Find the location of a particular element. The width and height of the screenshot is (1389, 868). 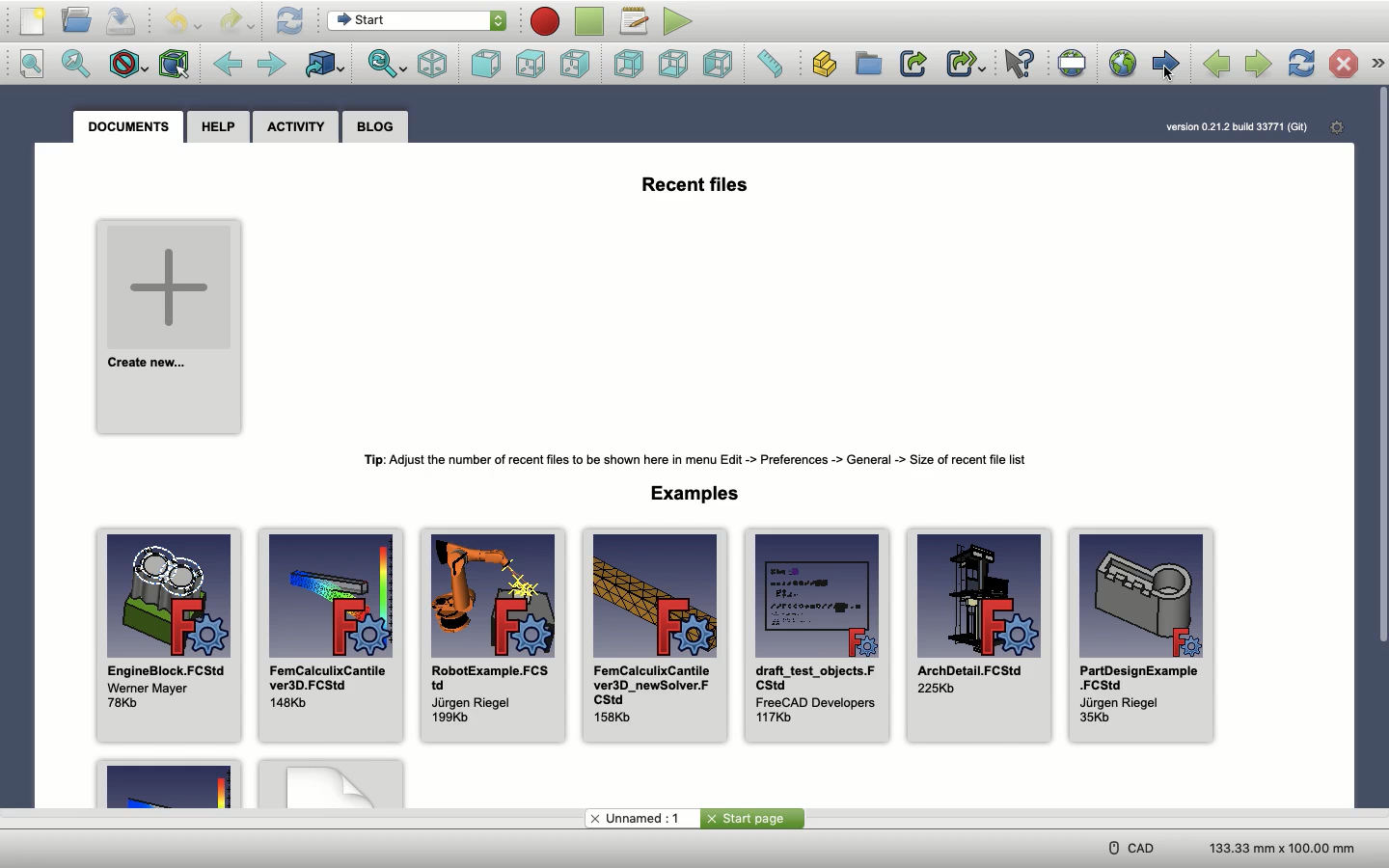

Fit all is located at coordinates (37, 66).